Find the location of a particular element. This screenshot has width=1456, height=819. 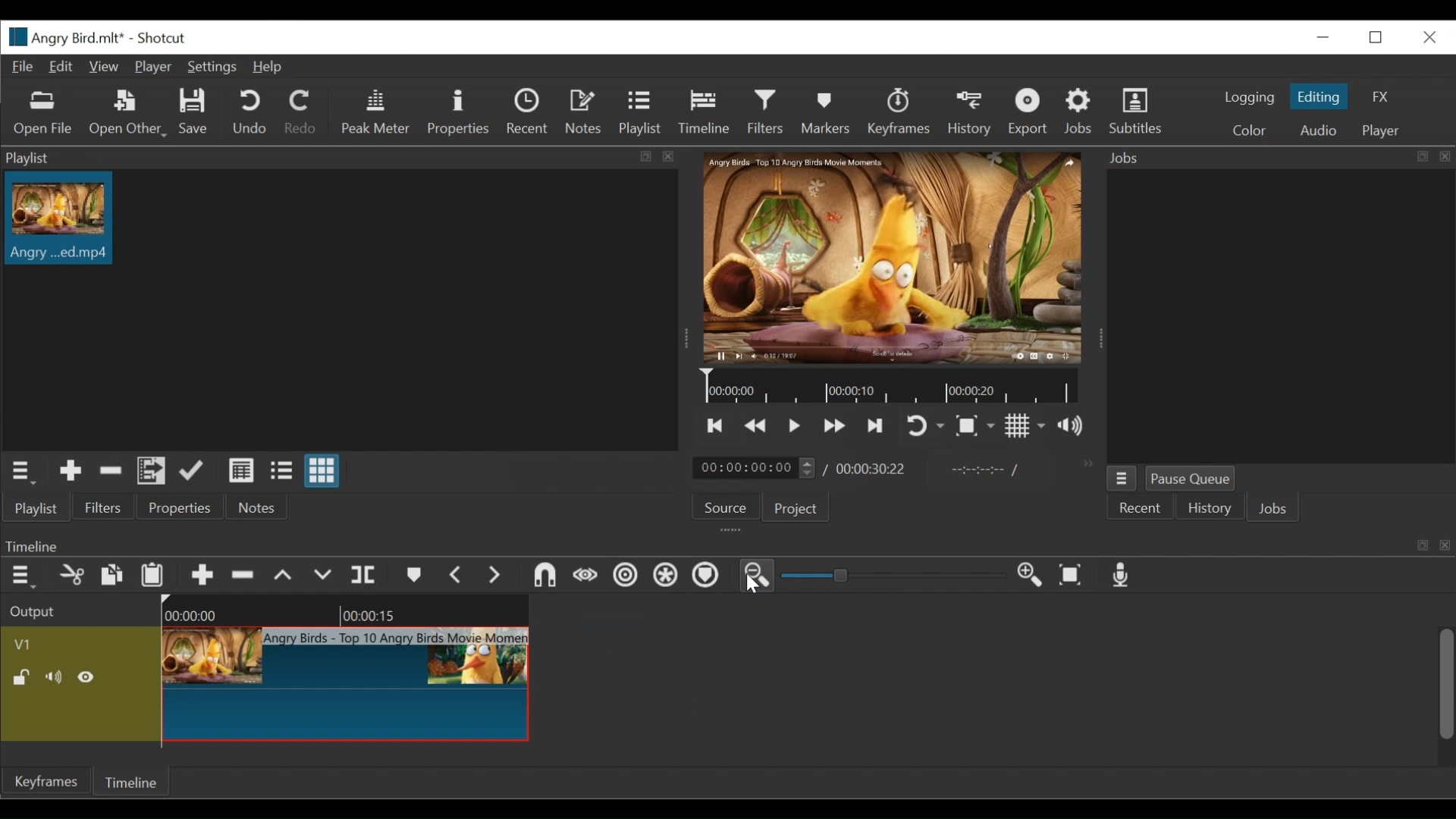

next is located at coordinates (498, 578).